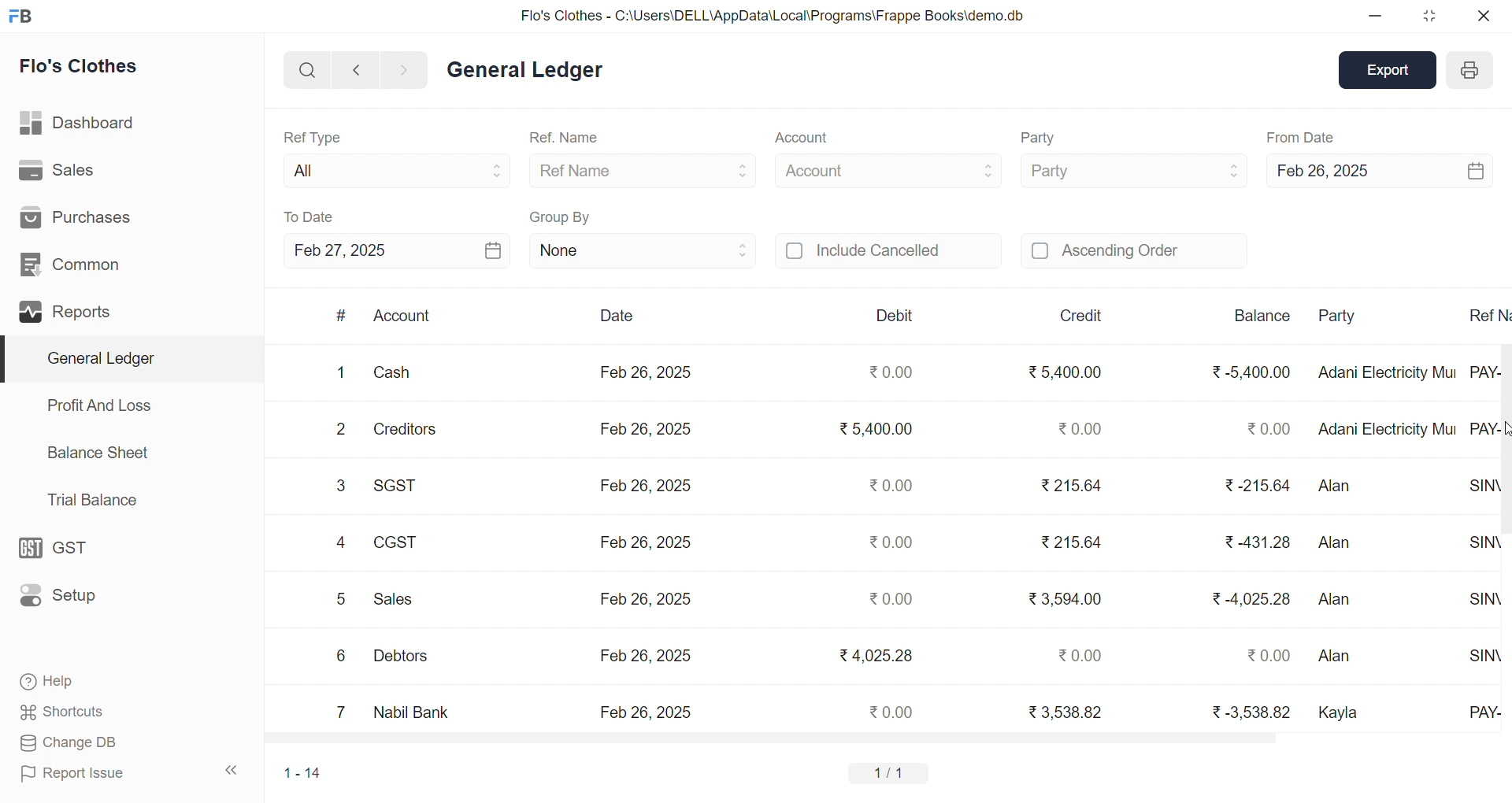 This screenshot has height=803, width=1512. What do you see at coordinates (889, 485) in the screenshot?
I see `₹0.00` at bounding box center [889, 485].